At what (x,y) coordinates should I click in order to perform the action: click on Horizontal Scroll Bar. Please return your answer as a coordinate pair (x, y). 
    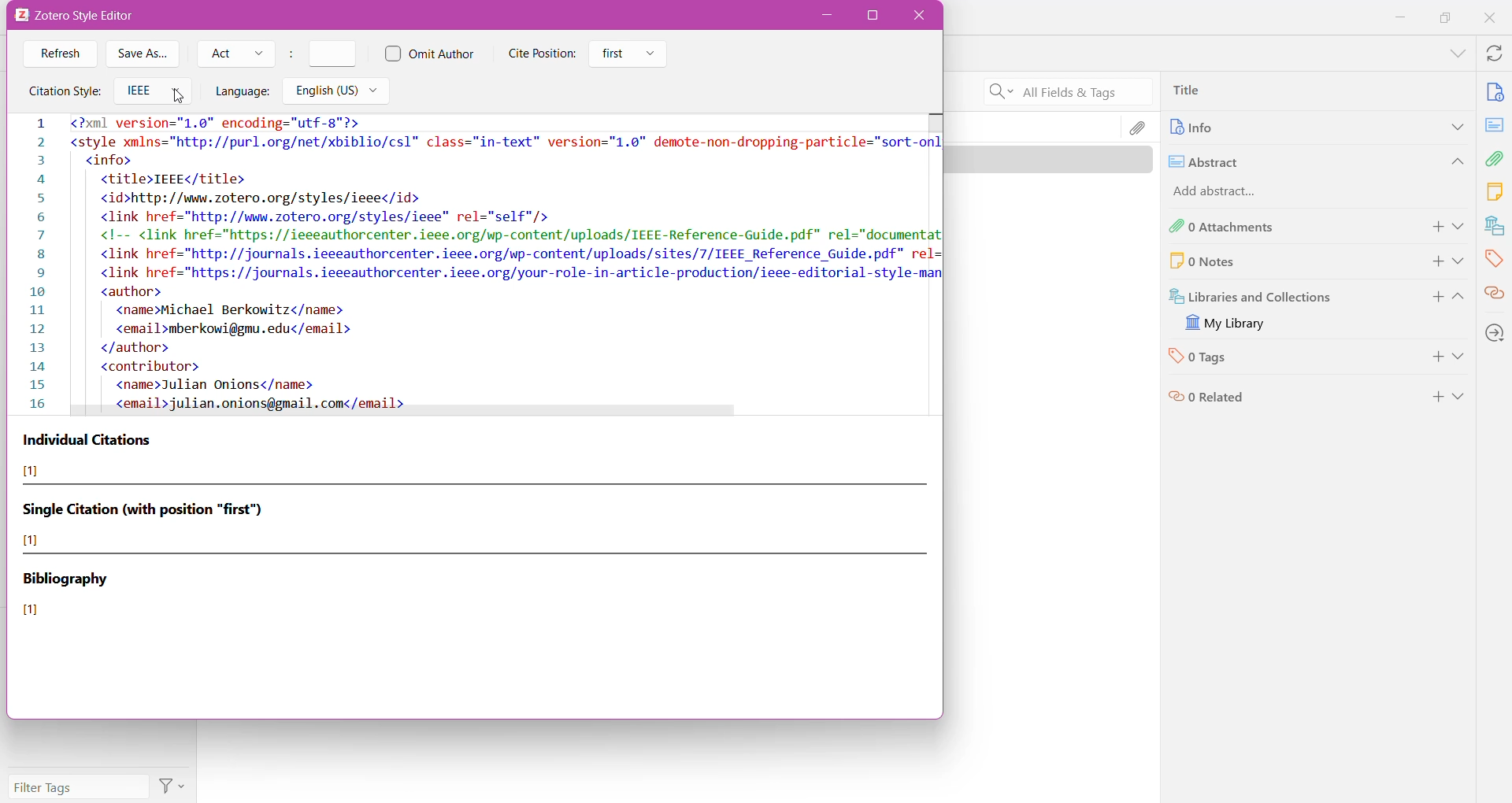
    Looking at the image, I should click on (413, 413).